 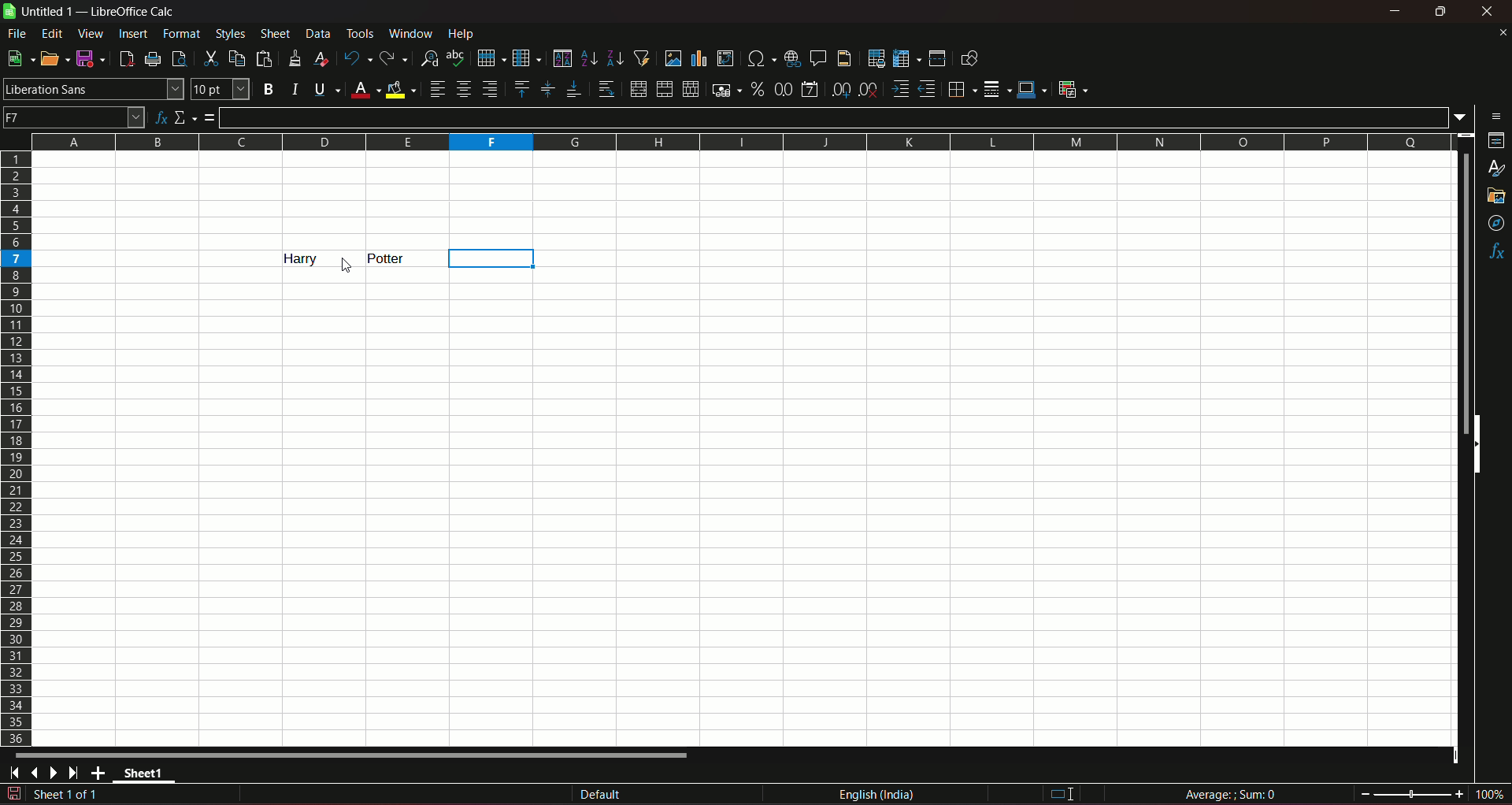 What do you see at coordinates (388, 258) in the screenshot?
I see `text` at bounding box center [388, 258].